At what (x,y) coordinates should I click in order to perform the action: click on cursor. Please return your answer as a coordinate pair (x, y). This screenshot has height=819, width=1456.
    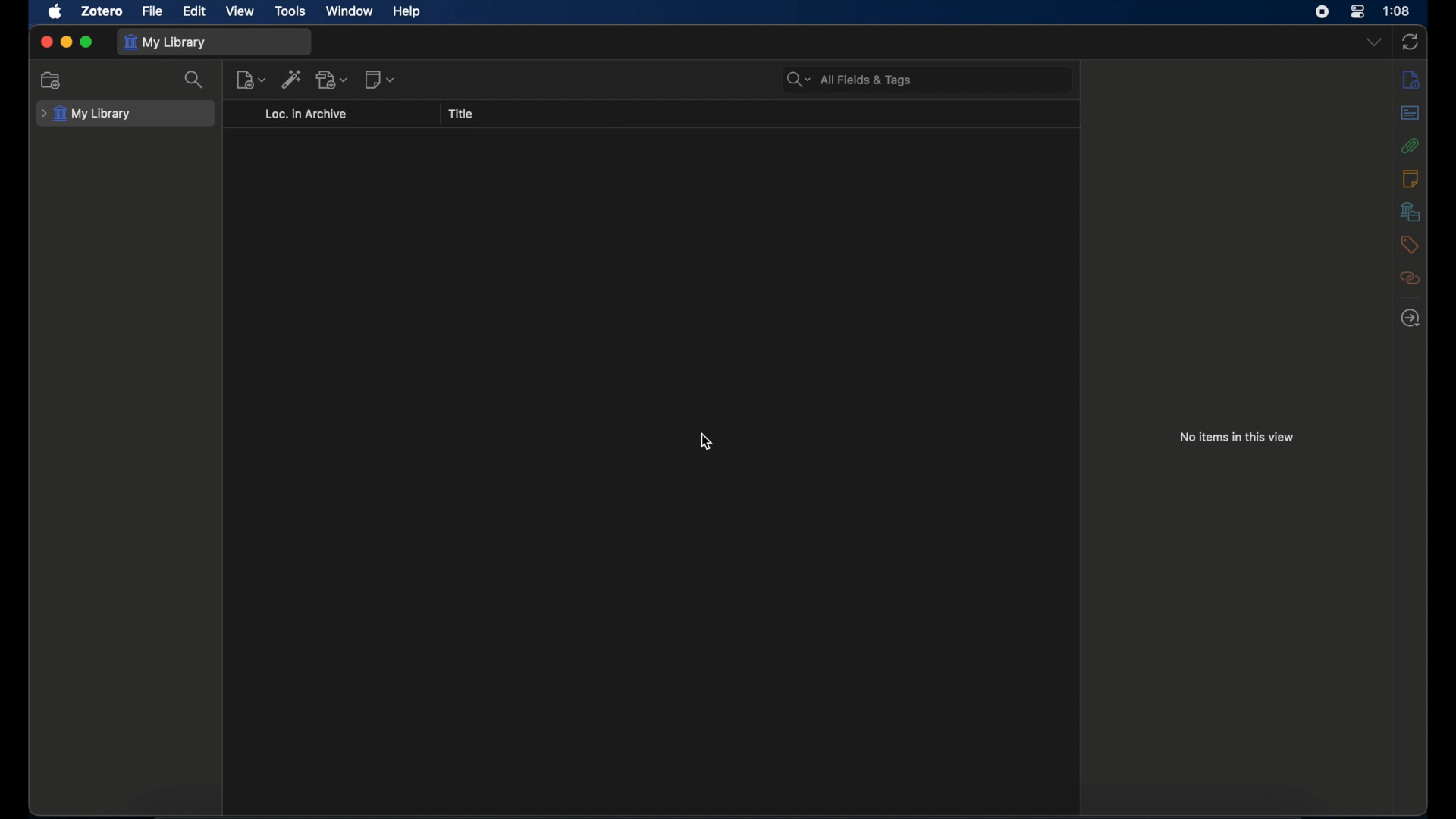
    Looking at the image, I should click on (706, 441).